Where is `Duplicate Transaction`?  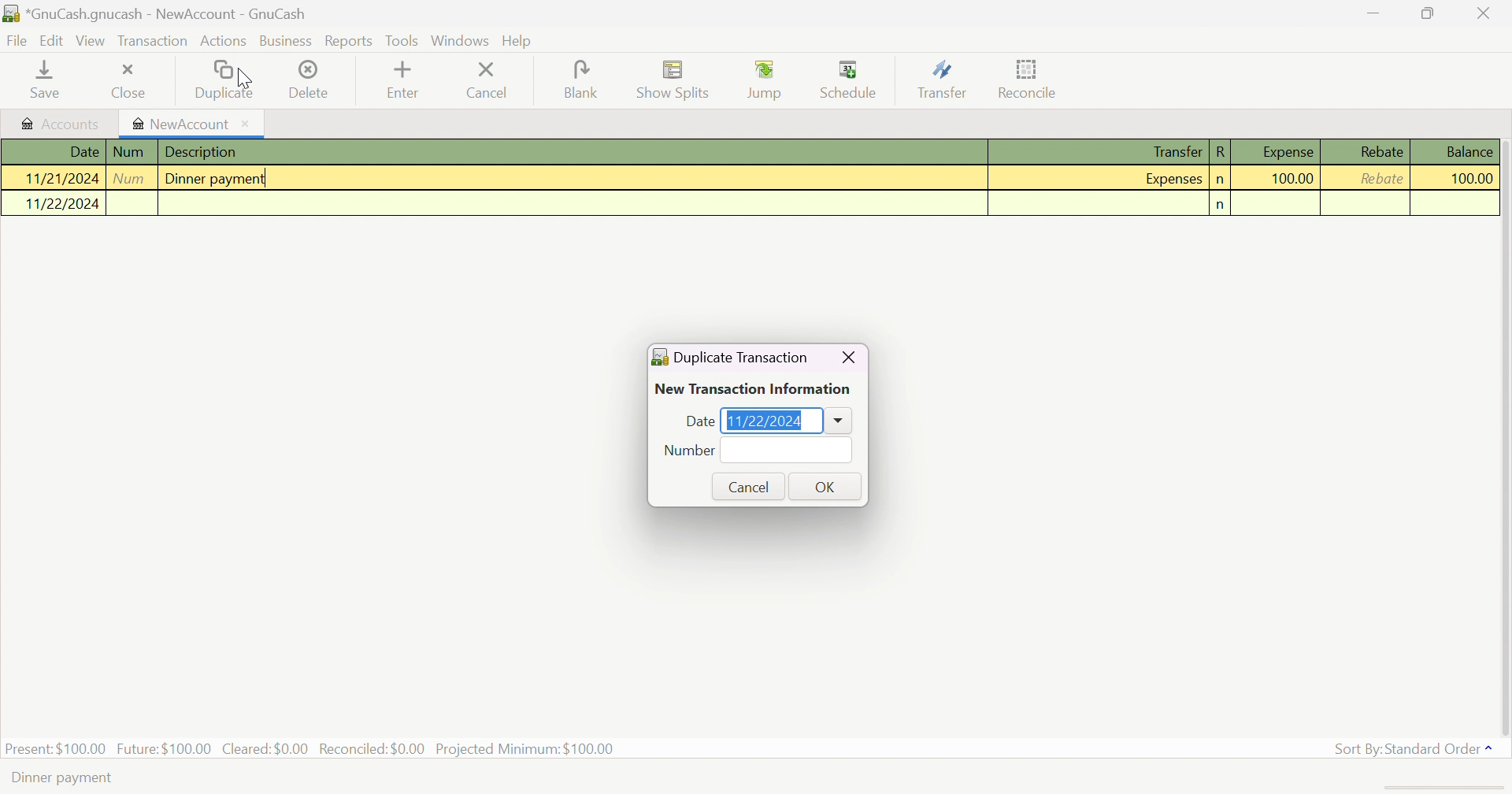
Duplicate Transaction is located at coordinates (743, 358).